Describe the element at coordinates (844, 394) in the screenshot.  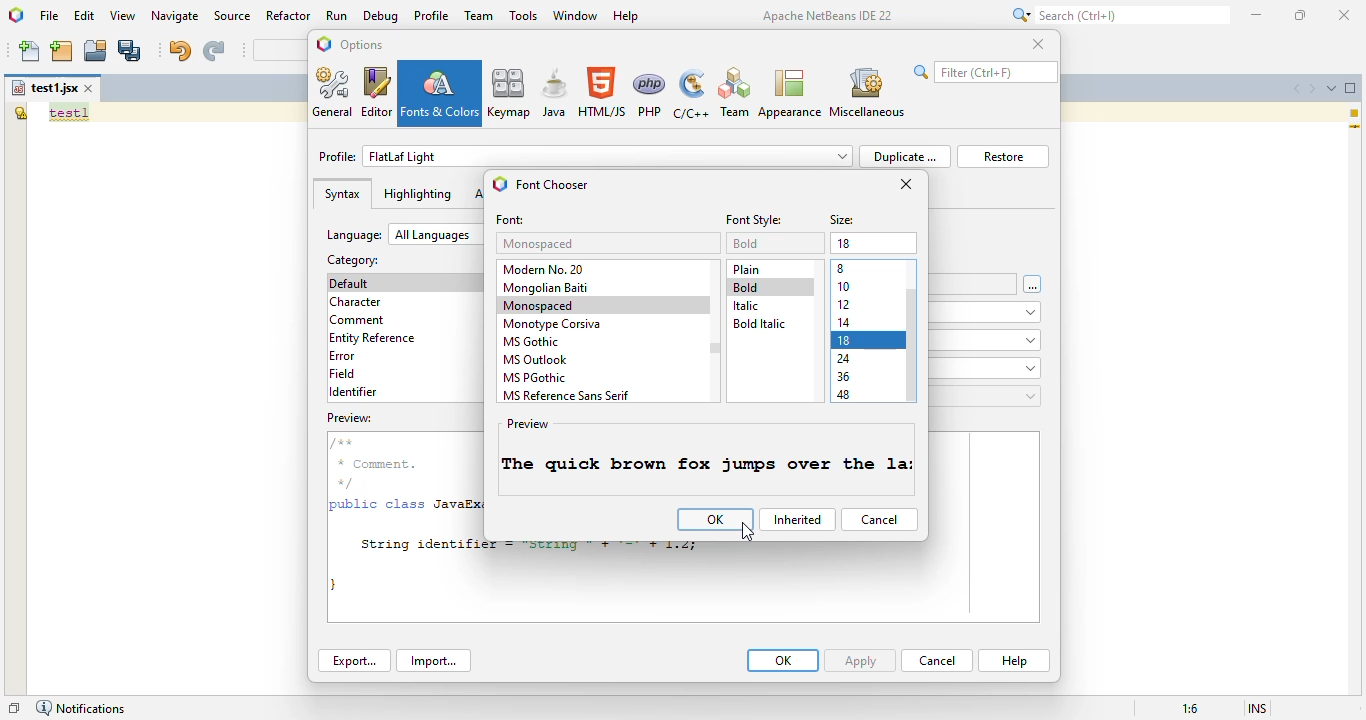
I see `48` at that location.